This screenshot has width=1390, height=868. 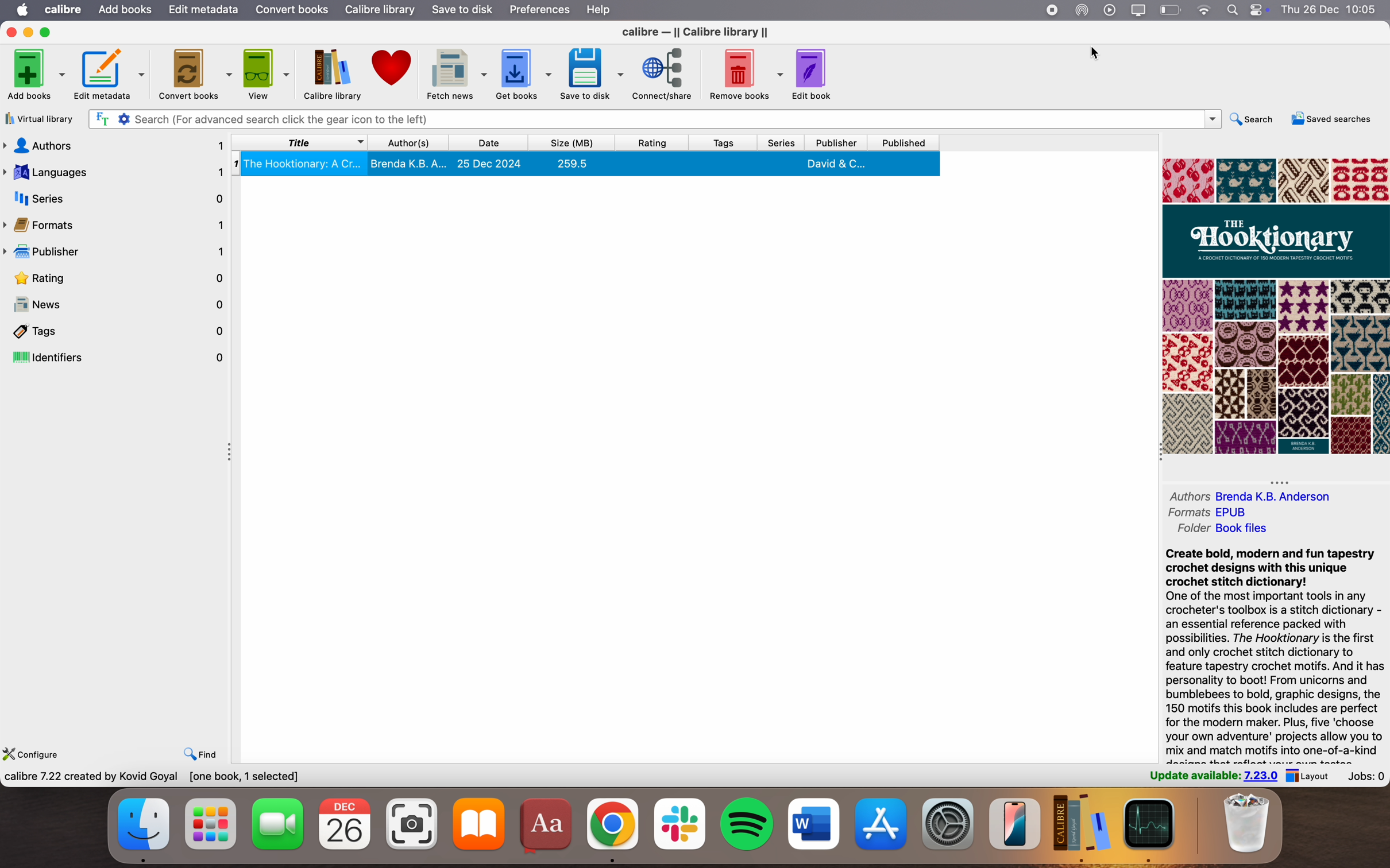 I want to click on published, so click(x=918, y=144).